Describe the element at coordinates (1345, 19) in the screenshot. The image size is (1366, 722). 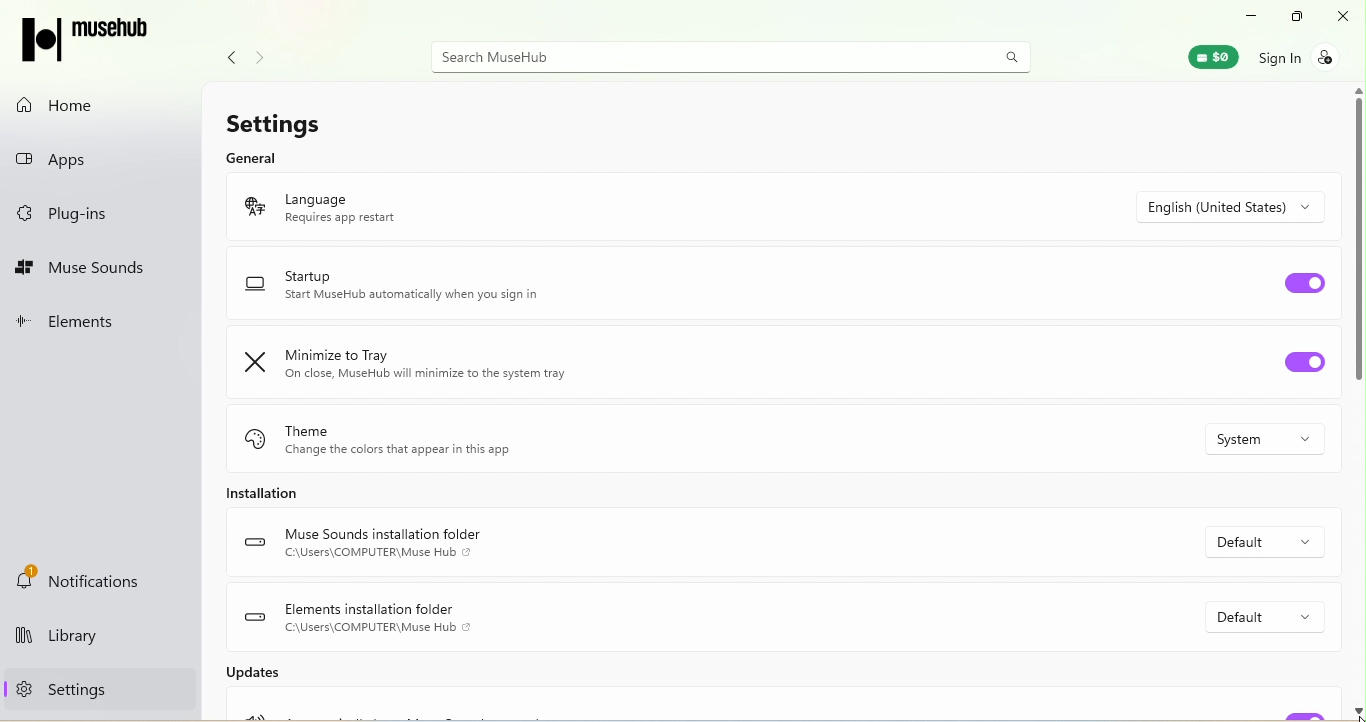
I see `Close` at that location.